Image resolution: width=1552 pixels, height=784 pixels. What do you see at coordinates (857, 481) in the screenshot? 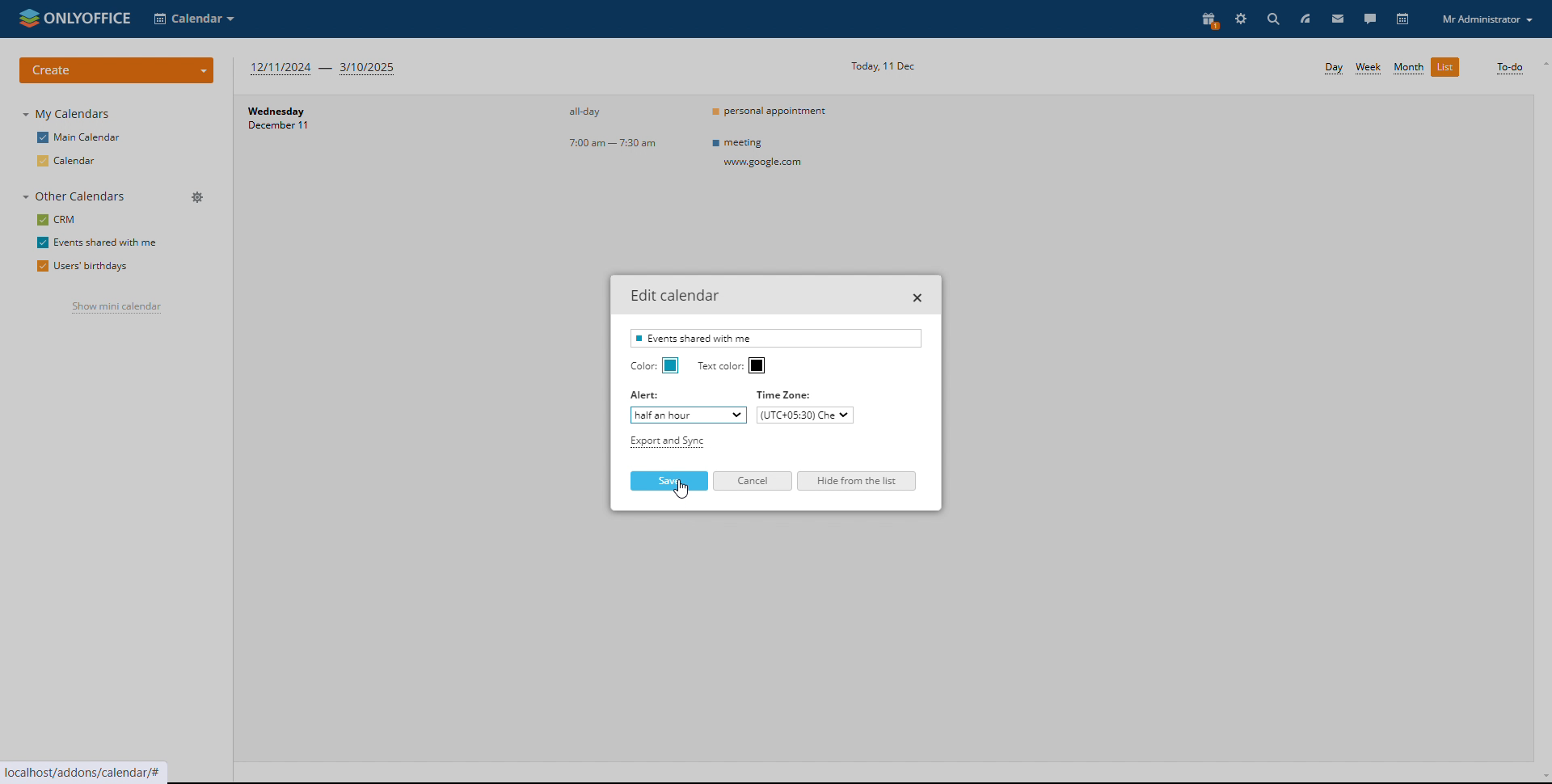
I see `hide from the list` at bounding box center [857, 481].